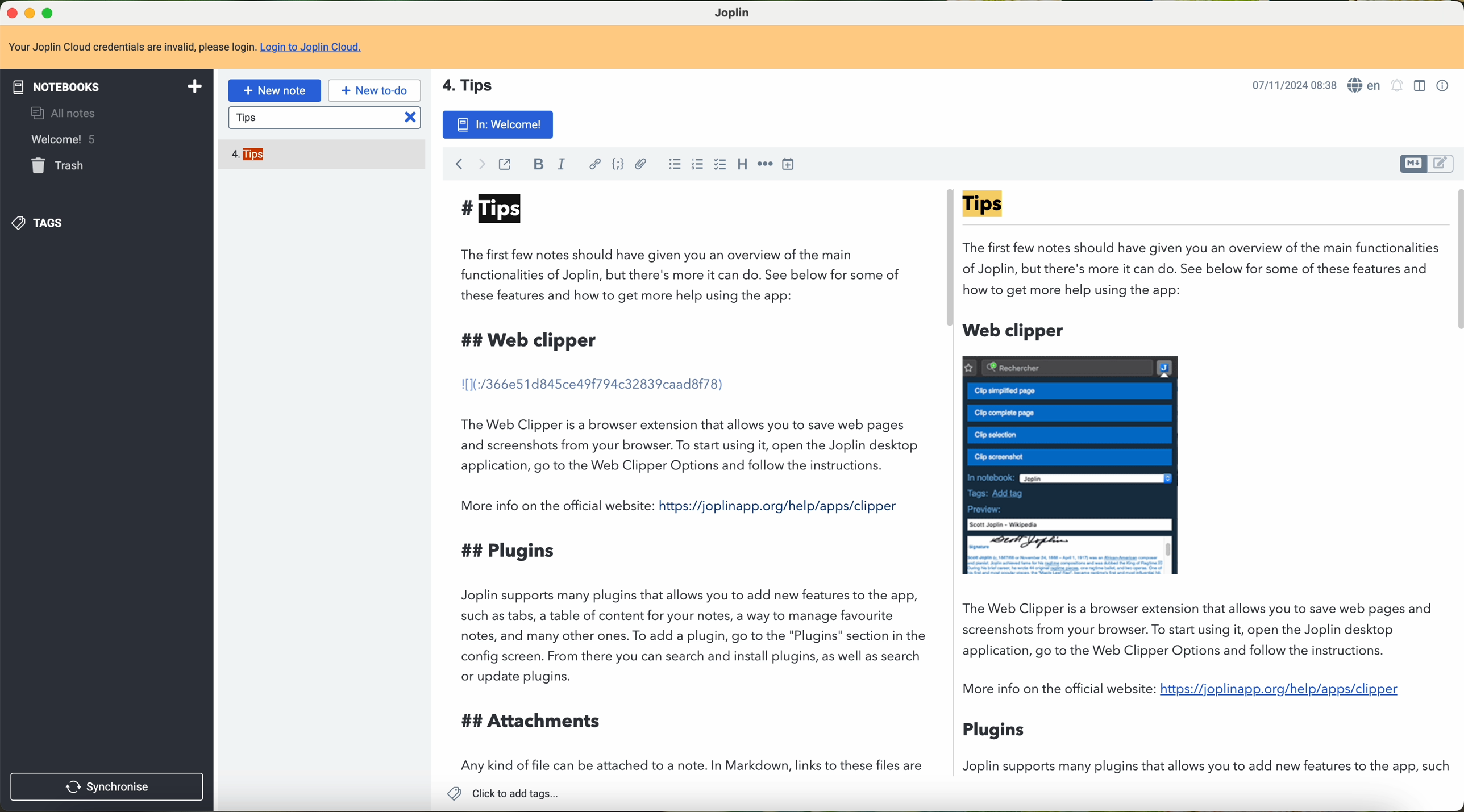 This screenshot has width=1464, height=812. What do you see at coordinates (614, 165) in the screenshot?
I see `code` at bounding box center [614, 165].